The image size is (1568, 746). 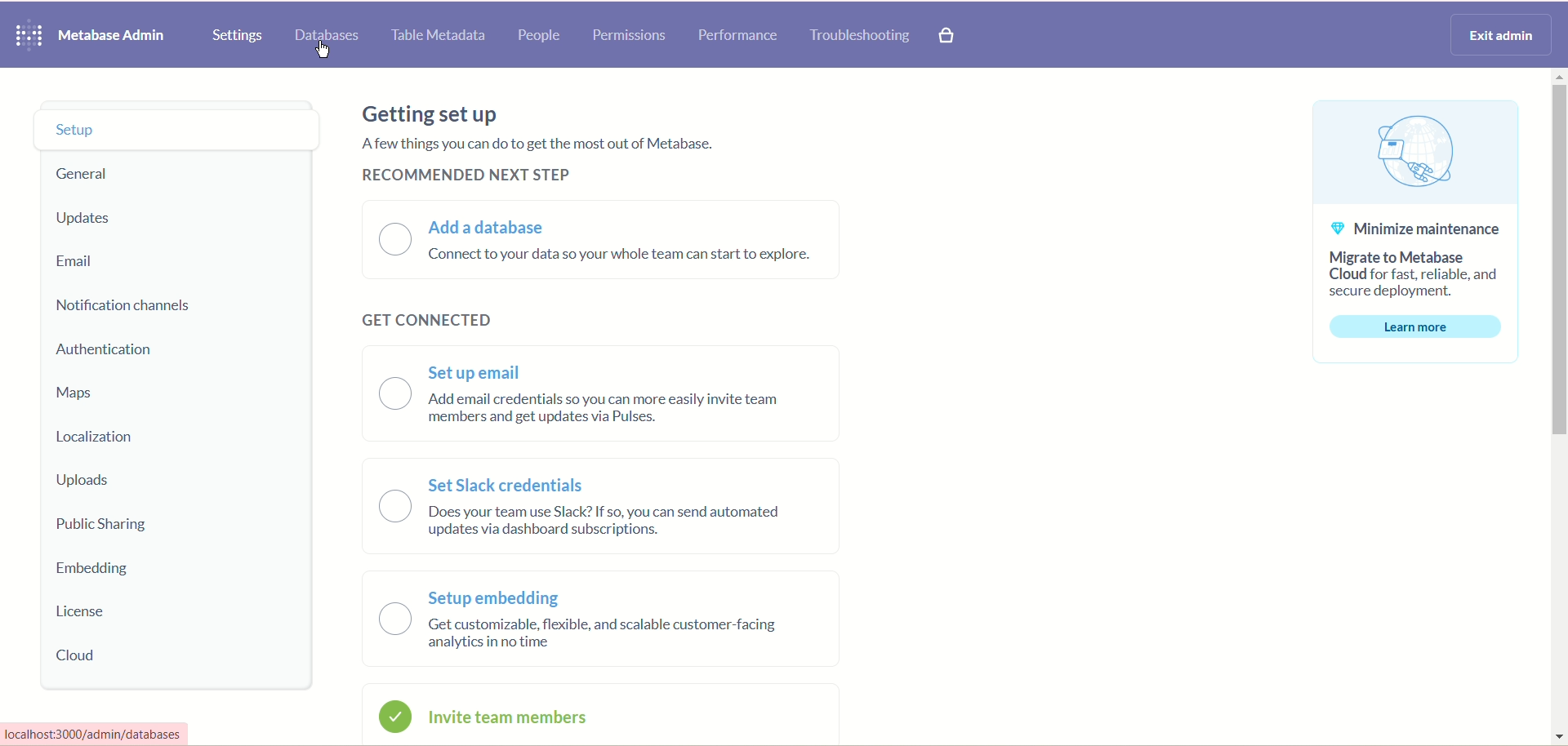 I want to click on minimize maintenance, so click(x=1419, y=261).